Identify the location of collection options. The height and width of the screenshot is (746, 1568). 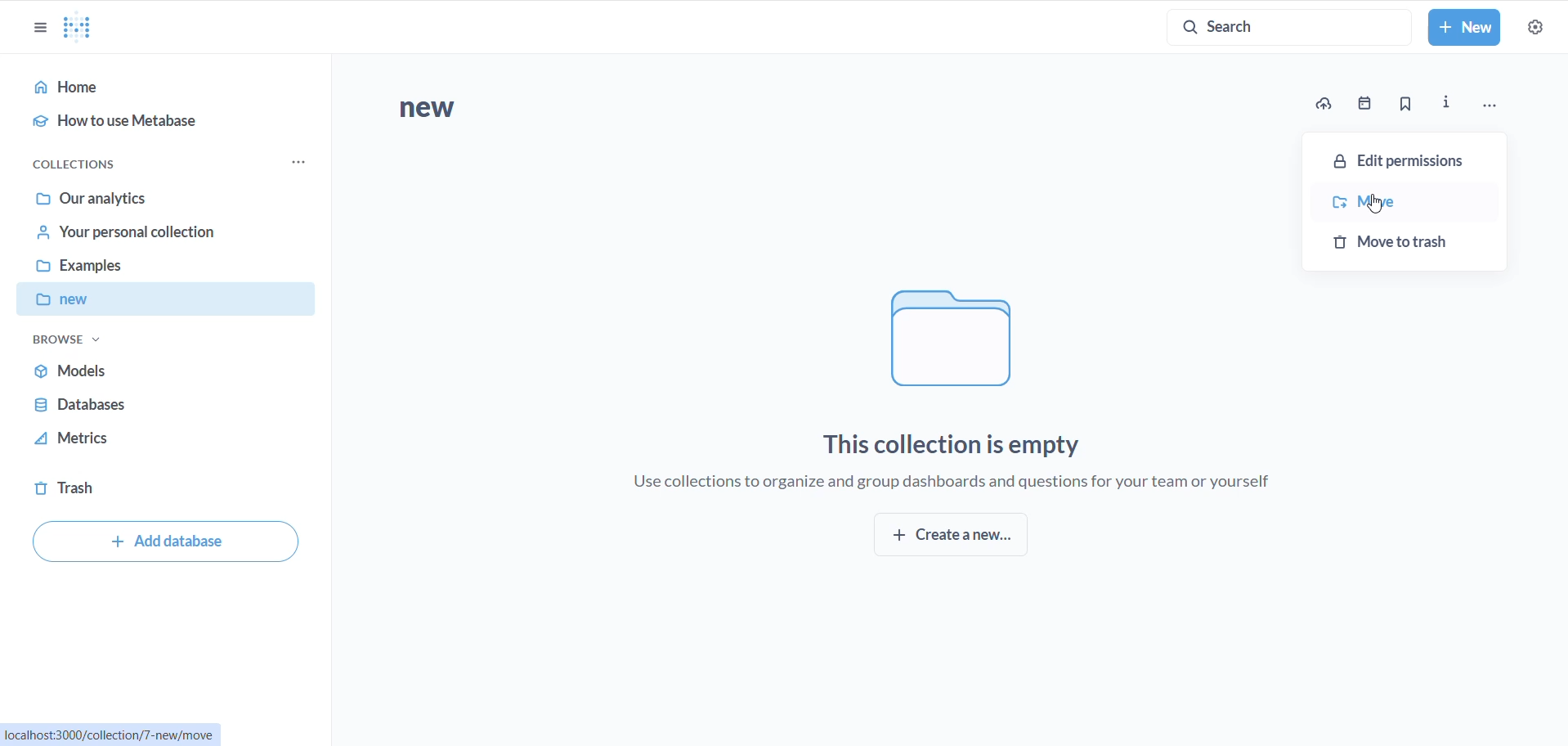
(298, 164).